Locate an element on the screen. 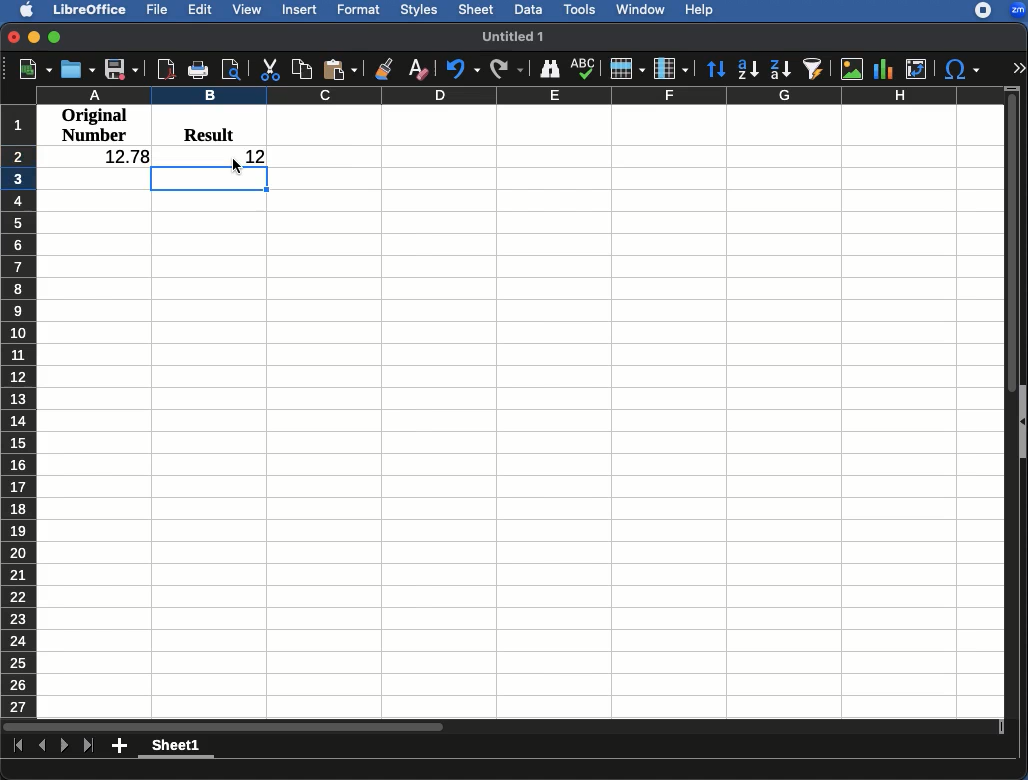 The width and height of the screenshot is (1028, 780). Data is located at coordinates (527, 8).